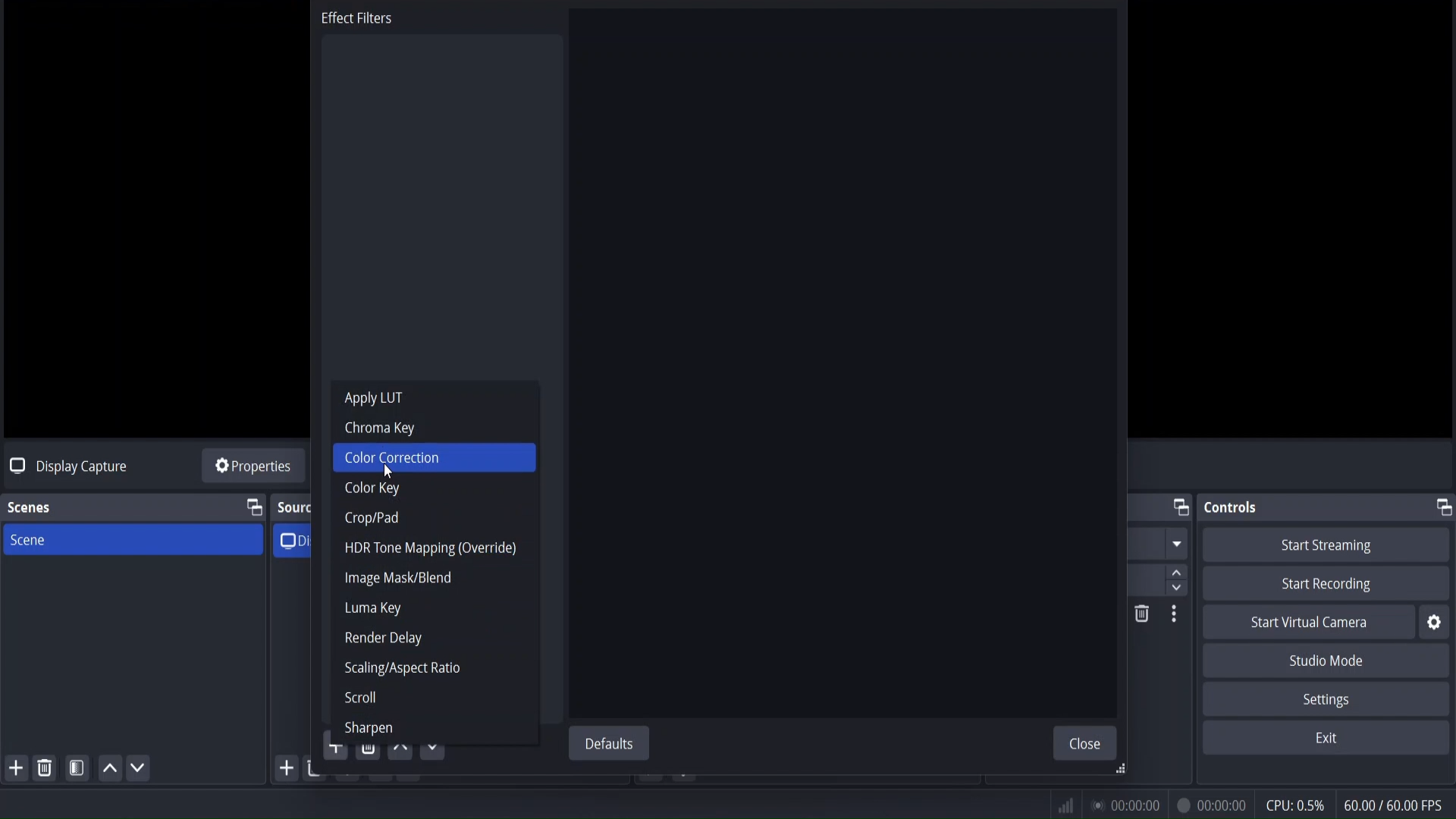  I want to click on apply lut, so click(372, 399).